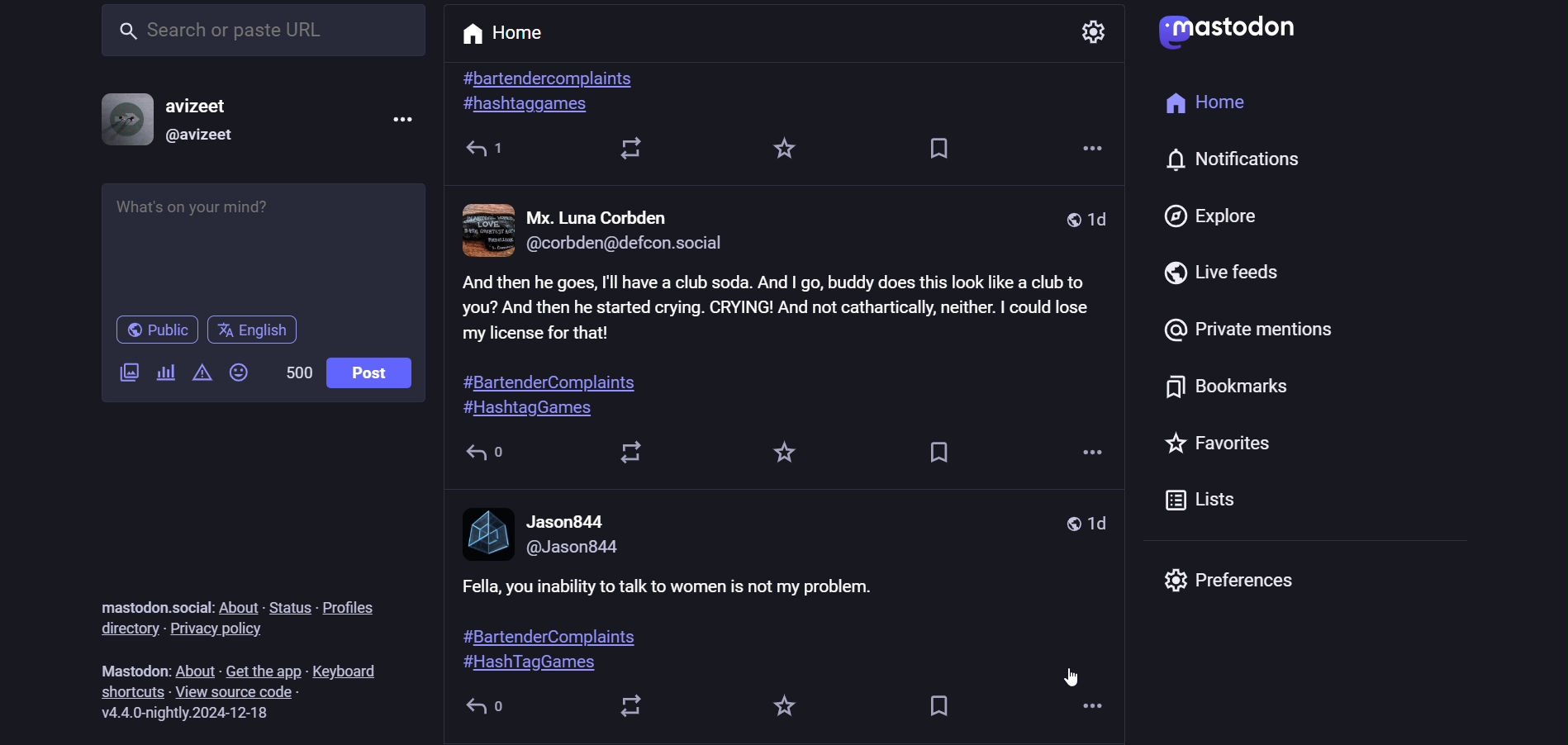 This screenshot has height=745, width=1568. What do you see at coordinates (639, 149) in the screenshot?
I see `boost` at bounding box center [639, 149].